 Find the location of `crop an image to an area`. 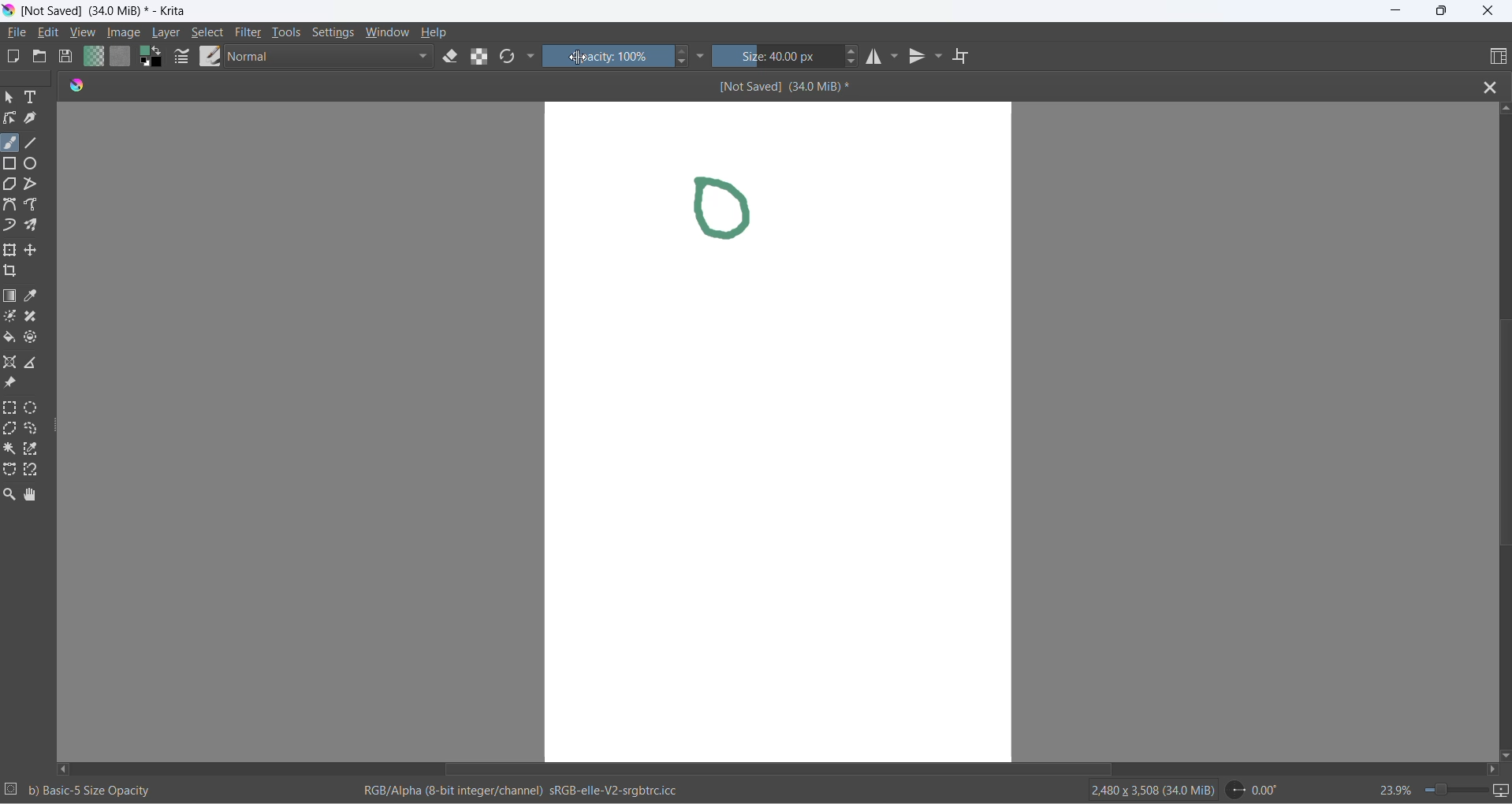

crop an image to an area is located at coordinates (16, 274).